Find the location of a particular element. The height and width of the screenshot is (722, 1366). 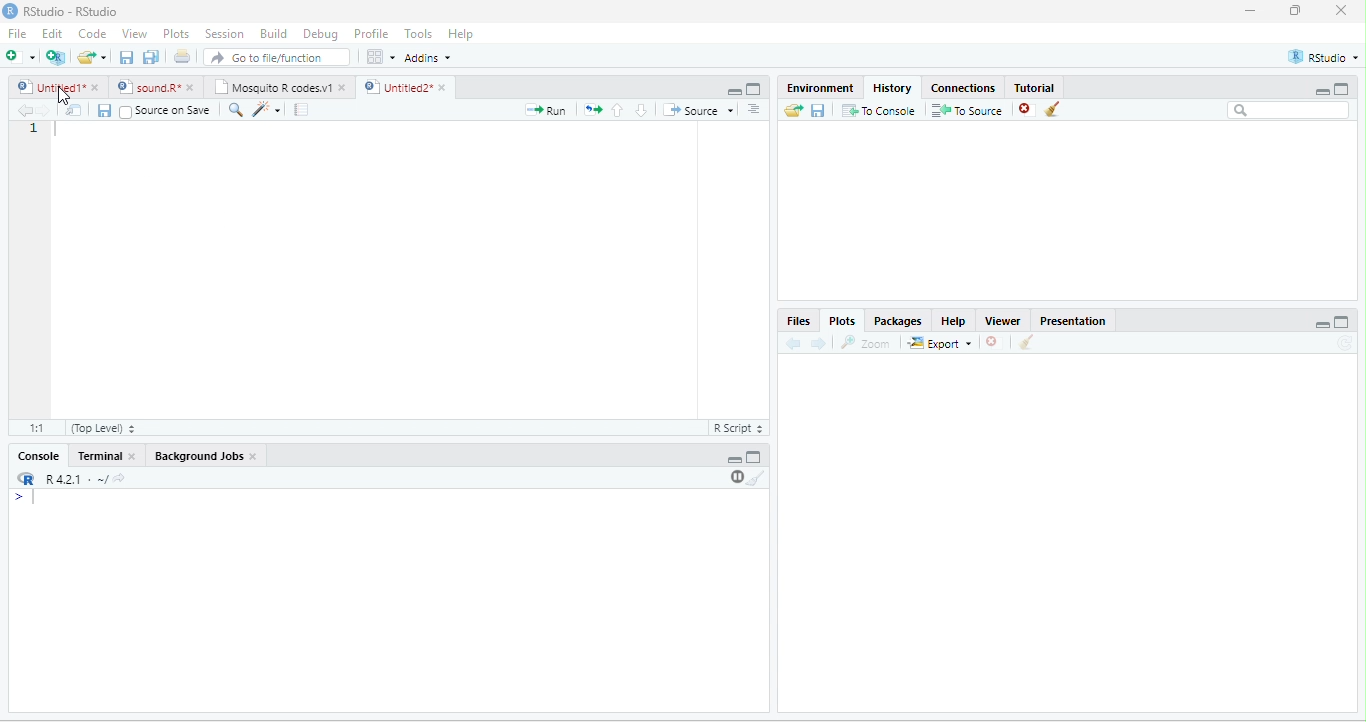

Plots is located at coordinates (176, 34).